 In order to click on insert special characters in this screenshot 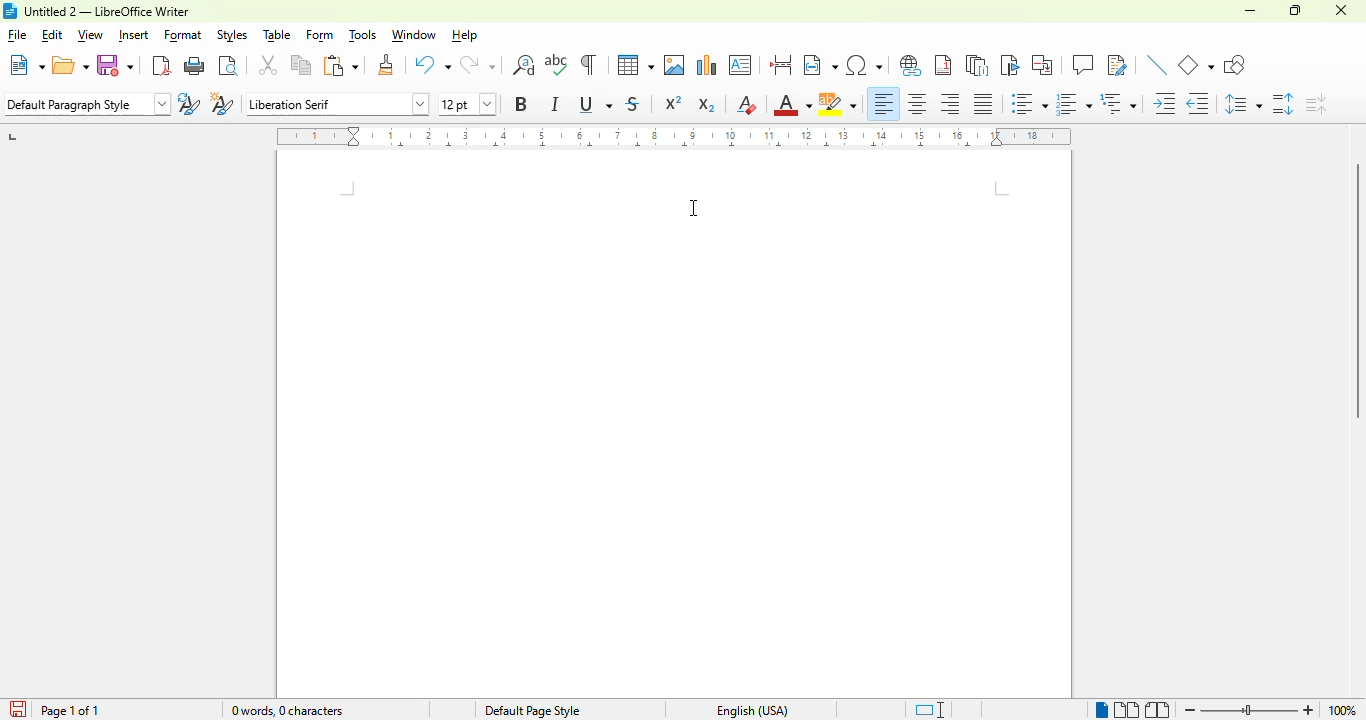, I will do `click(865, 65)`.